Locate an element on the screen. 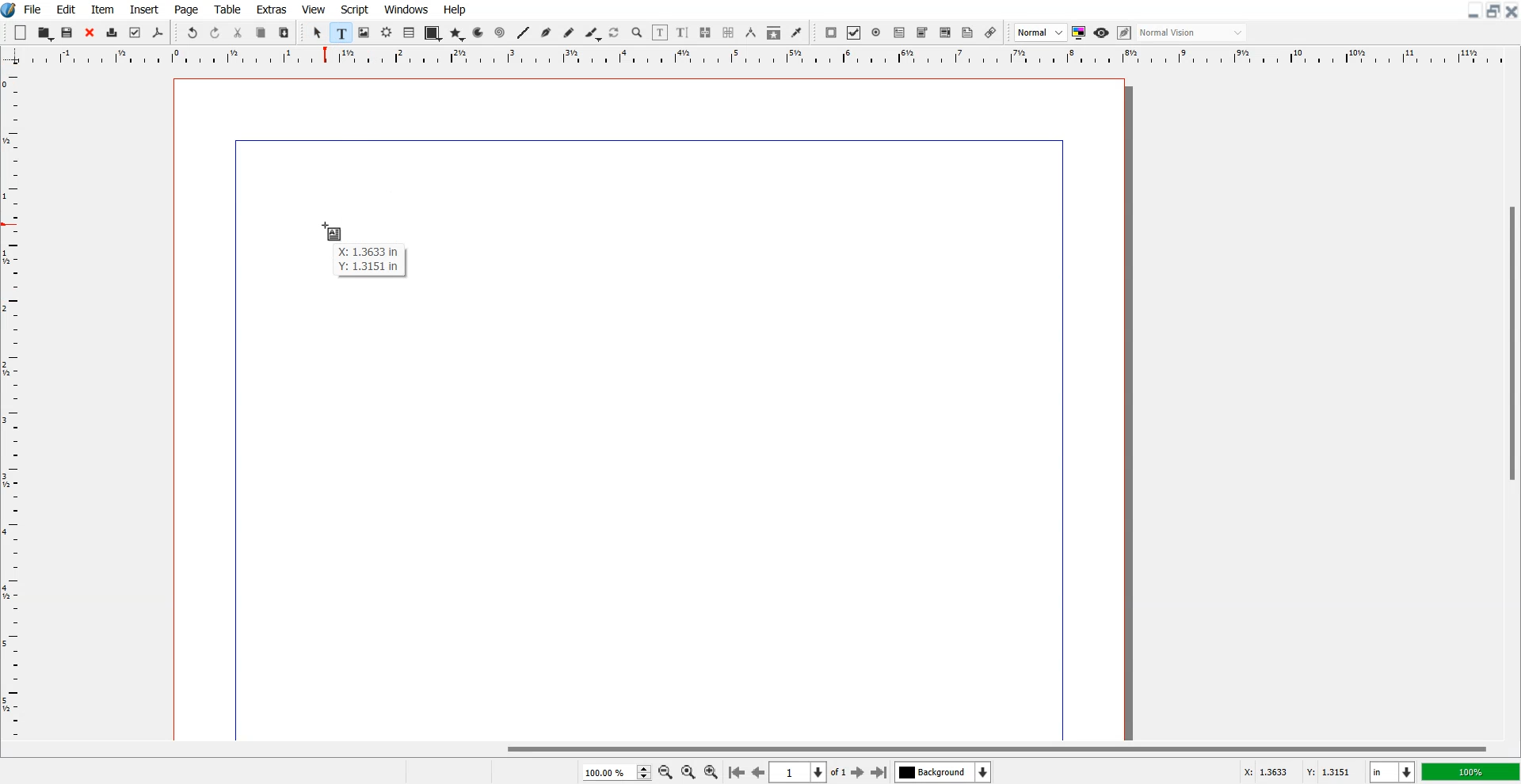 The height and width of the screenshot is (784, 1521). Help is located at coordinates (454, 10).